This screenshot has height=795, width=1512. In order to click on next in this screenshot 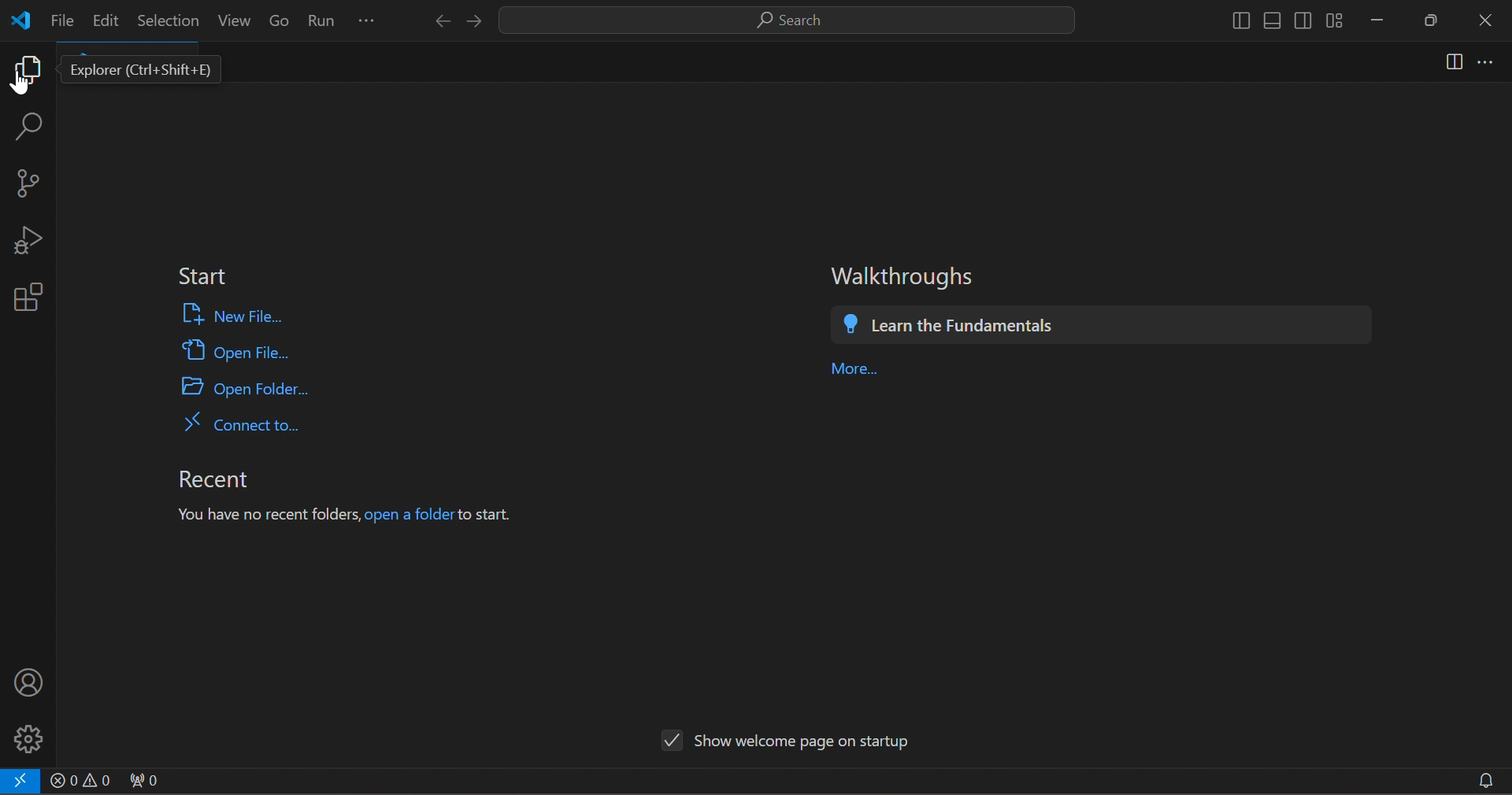, I will do `click(480, 21)`.